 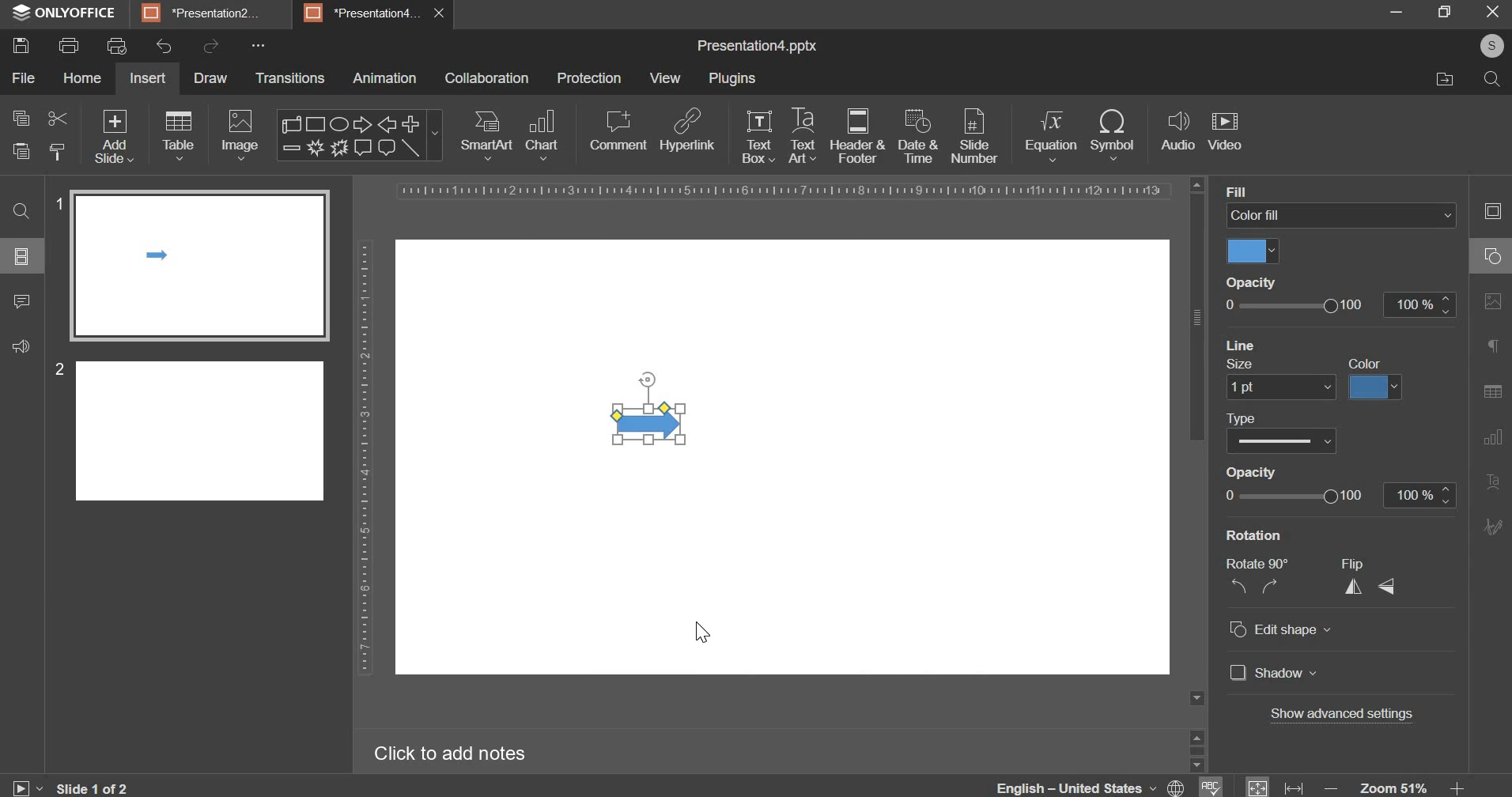 I want to click on chart, so click(x=542, y=136).